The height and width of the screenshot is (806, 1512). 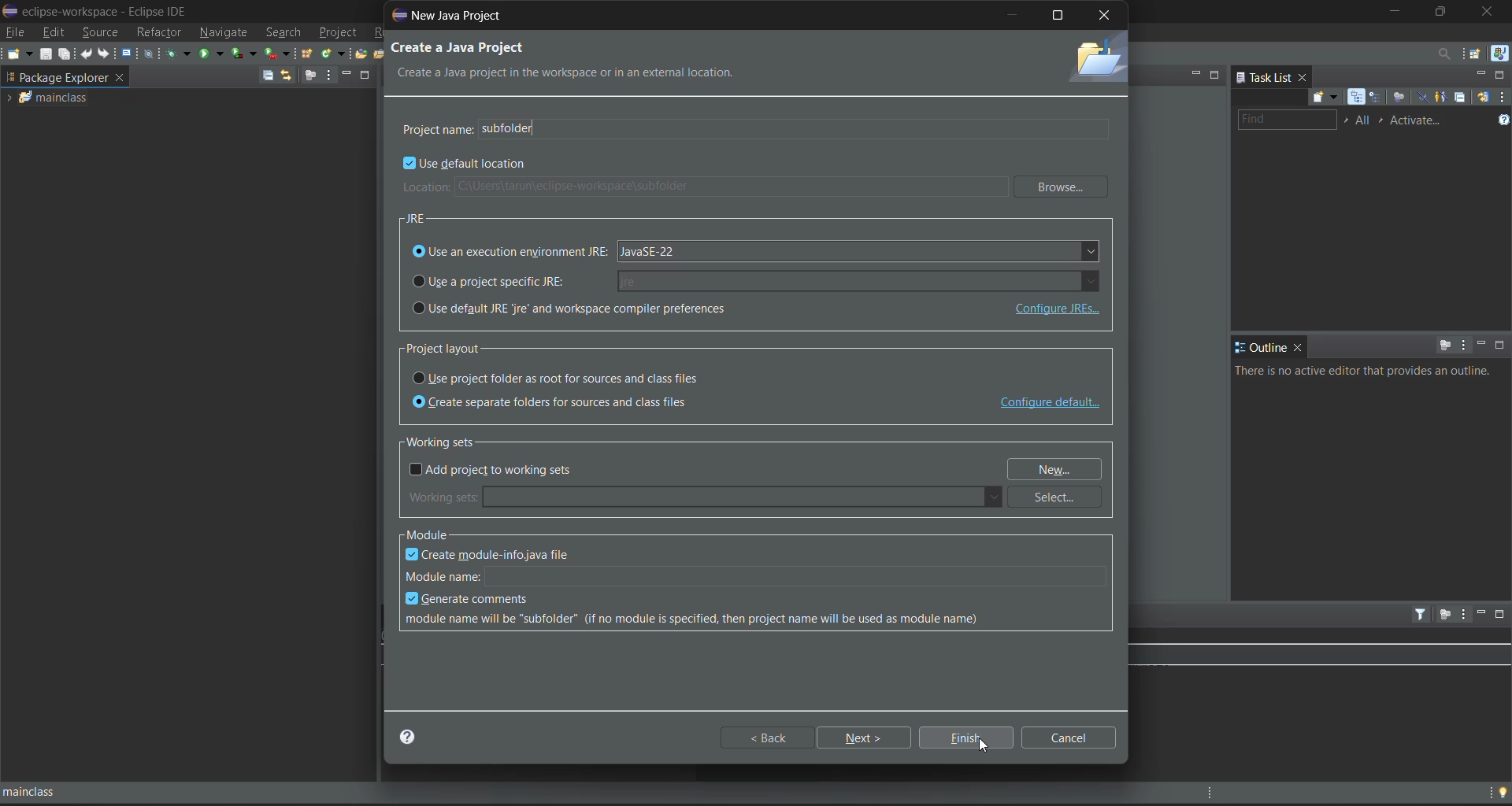 I want to click on refractor, so click(x=159, y=32).